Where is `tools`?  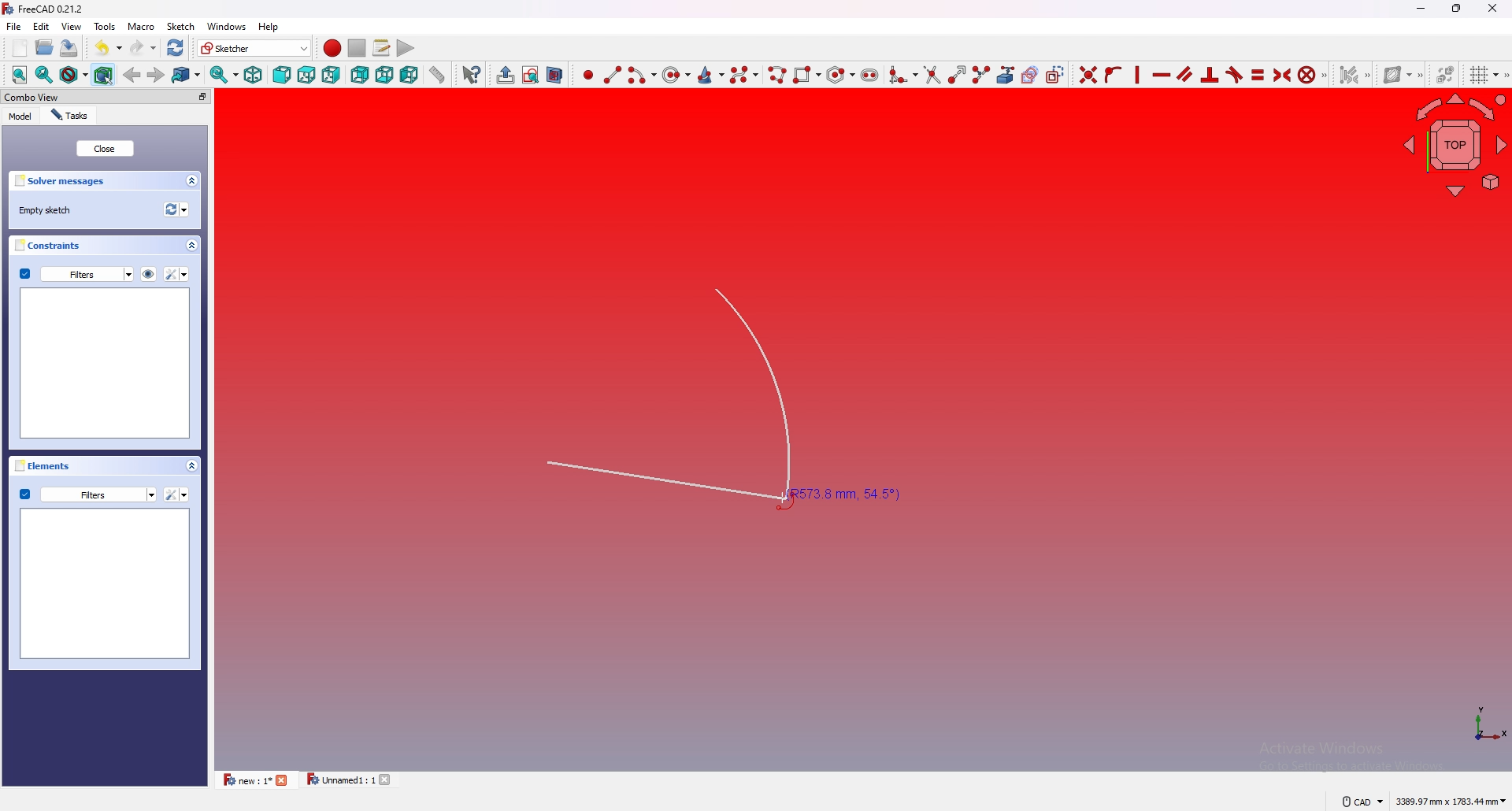 tools is located at coordinates (105, 26).